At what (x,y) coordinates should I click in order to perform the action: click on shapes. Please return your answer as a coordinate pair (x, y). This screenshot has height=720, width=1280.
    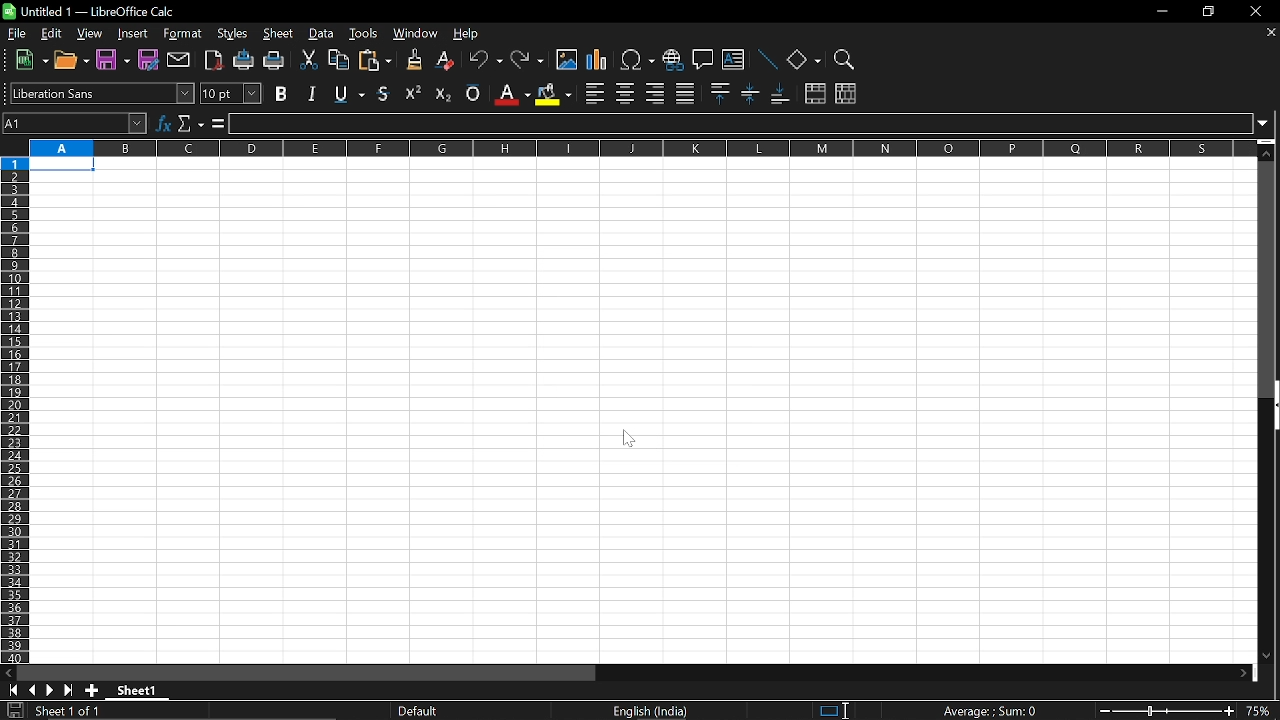
    Looking at the image, I should click on (803, 61).